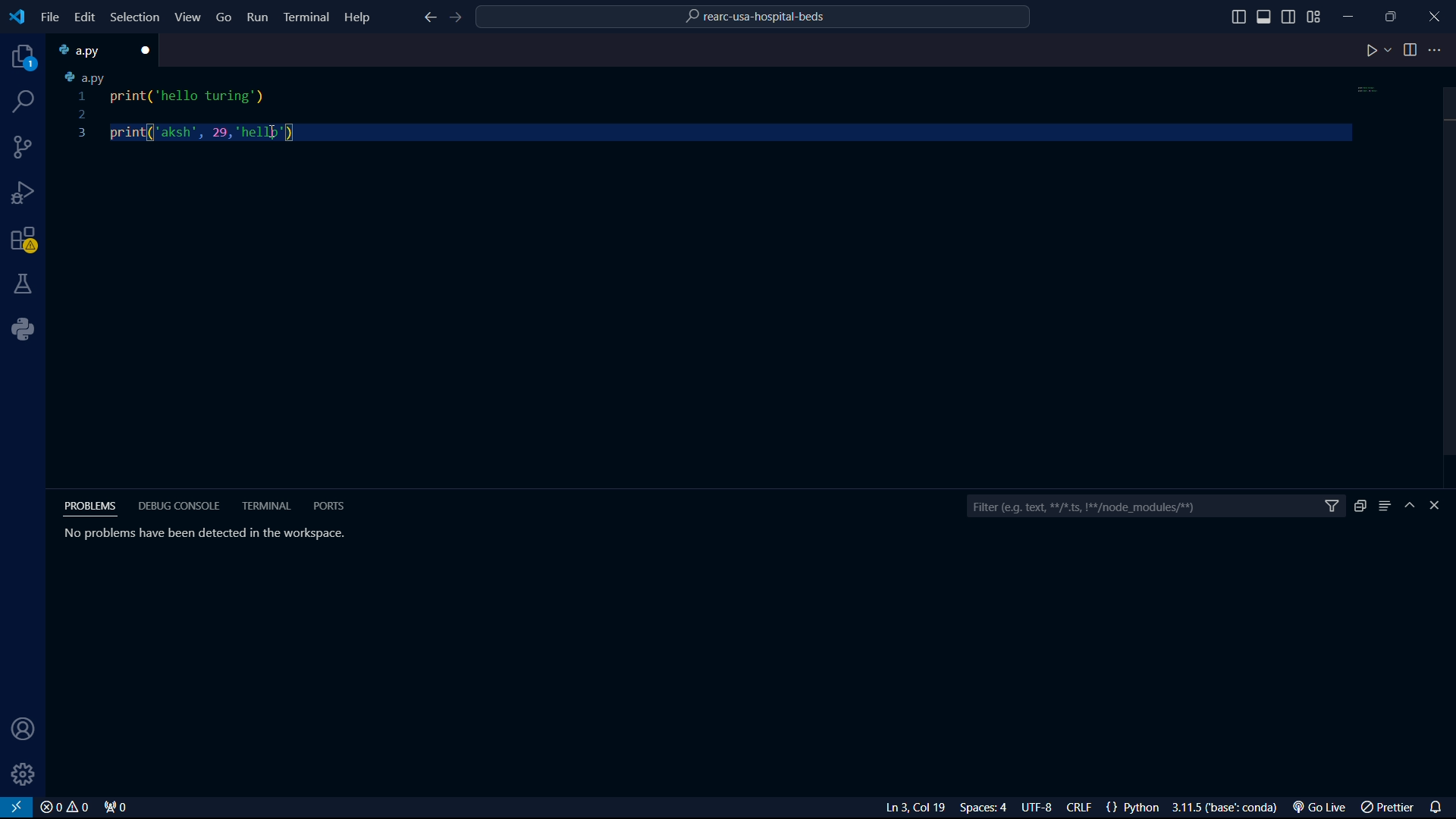 The image size is (1456, 819). Describe the element at coordinates (24, 283) in the screenshot. I see `labs` at that location.